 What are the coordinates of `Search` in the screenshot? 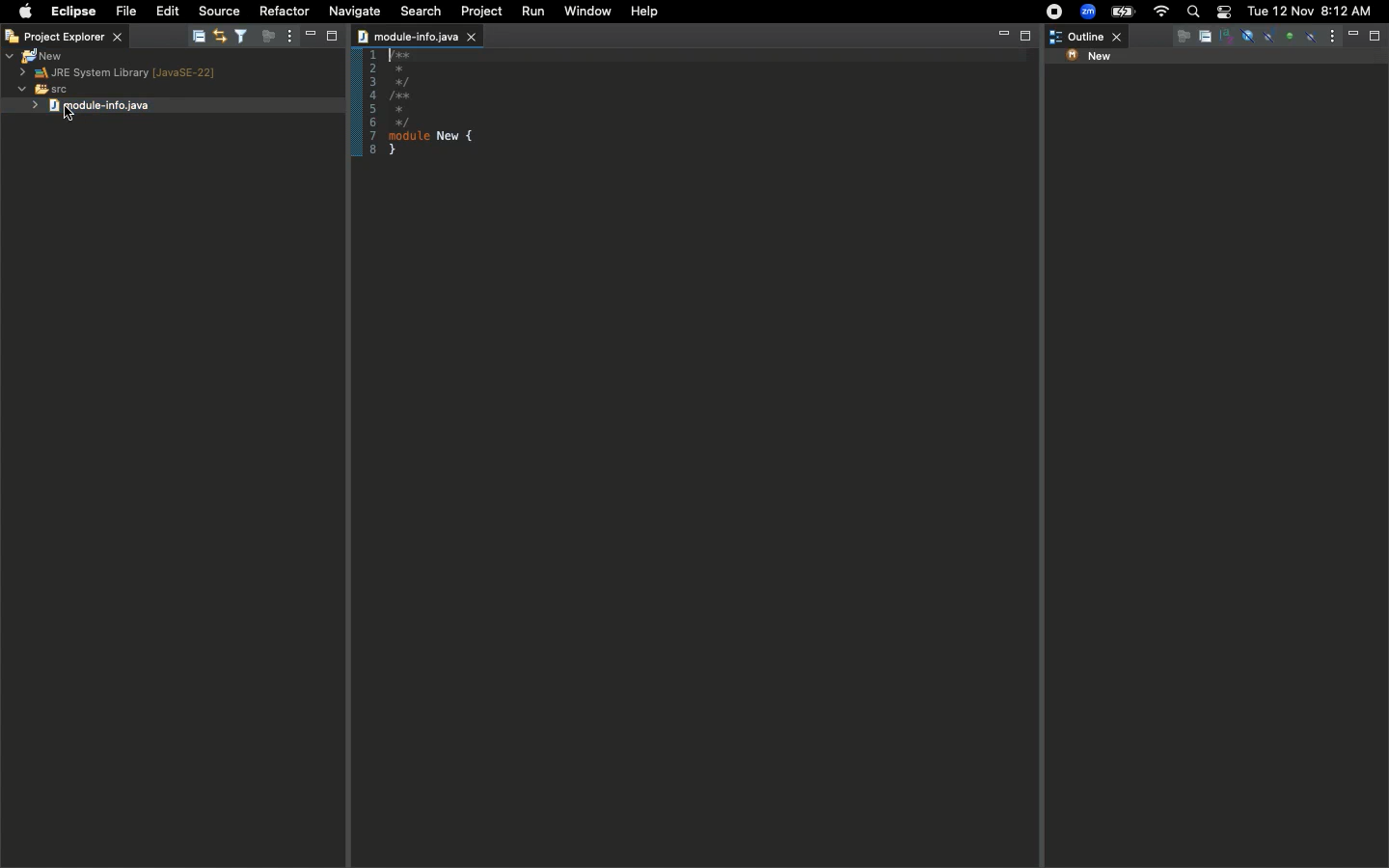 It's located at (422, 13).